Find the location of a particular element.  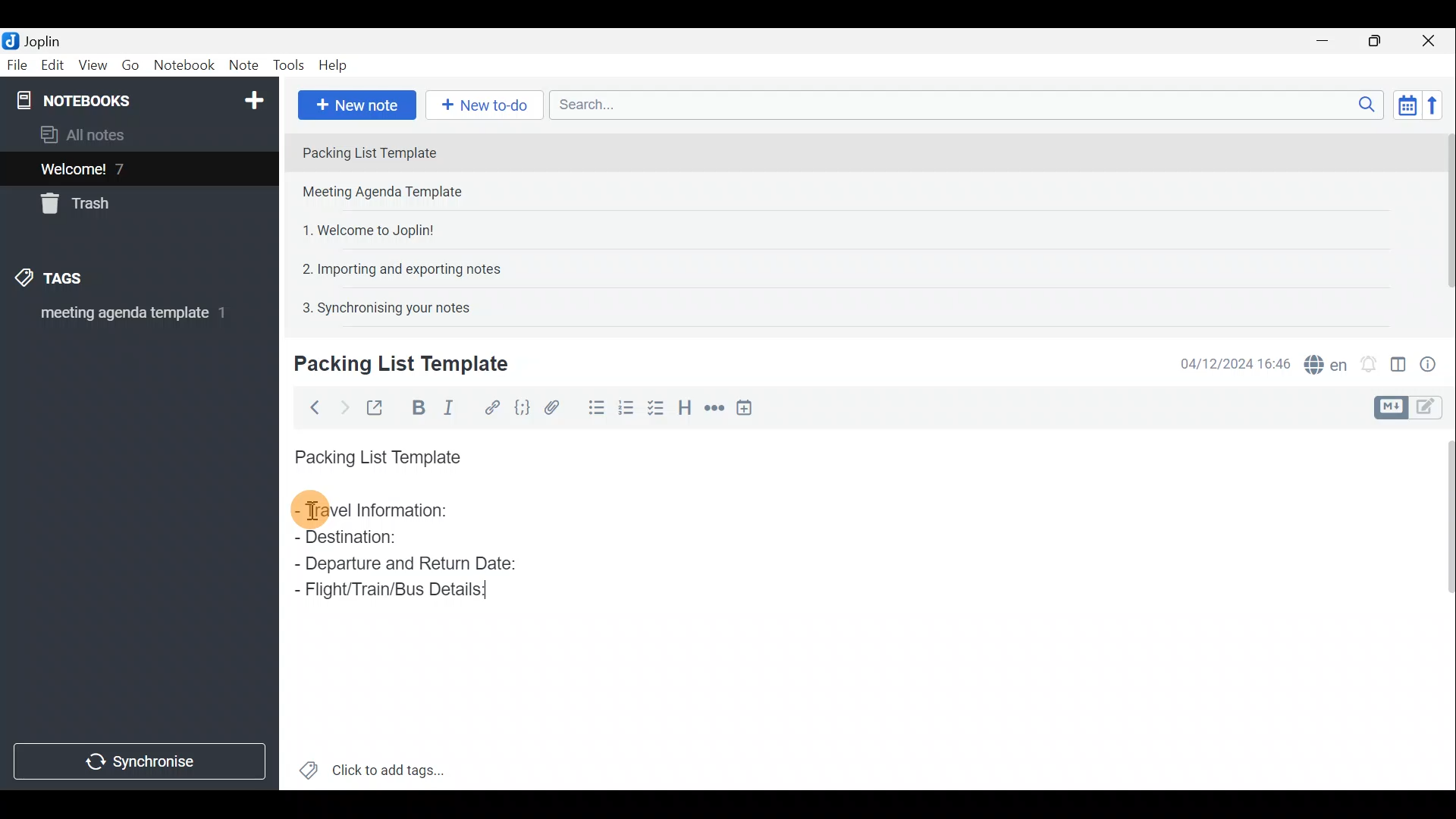

Italic is located at coordinates (454, 407).